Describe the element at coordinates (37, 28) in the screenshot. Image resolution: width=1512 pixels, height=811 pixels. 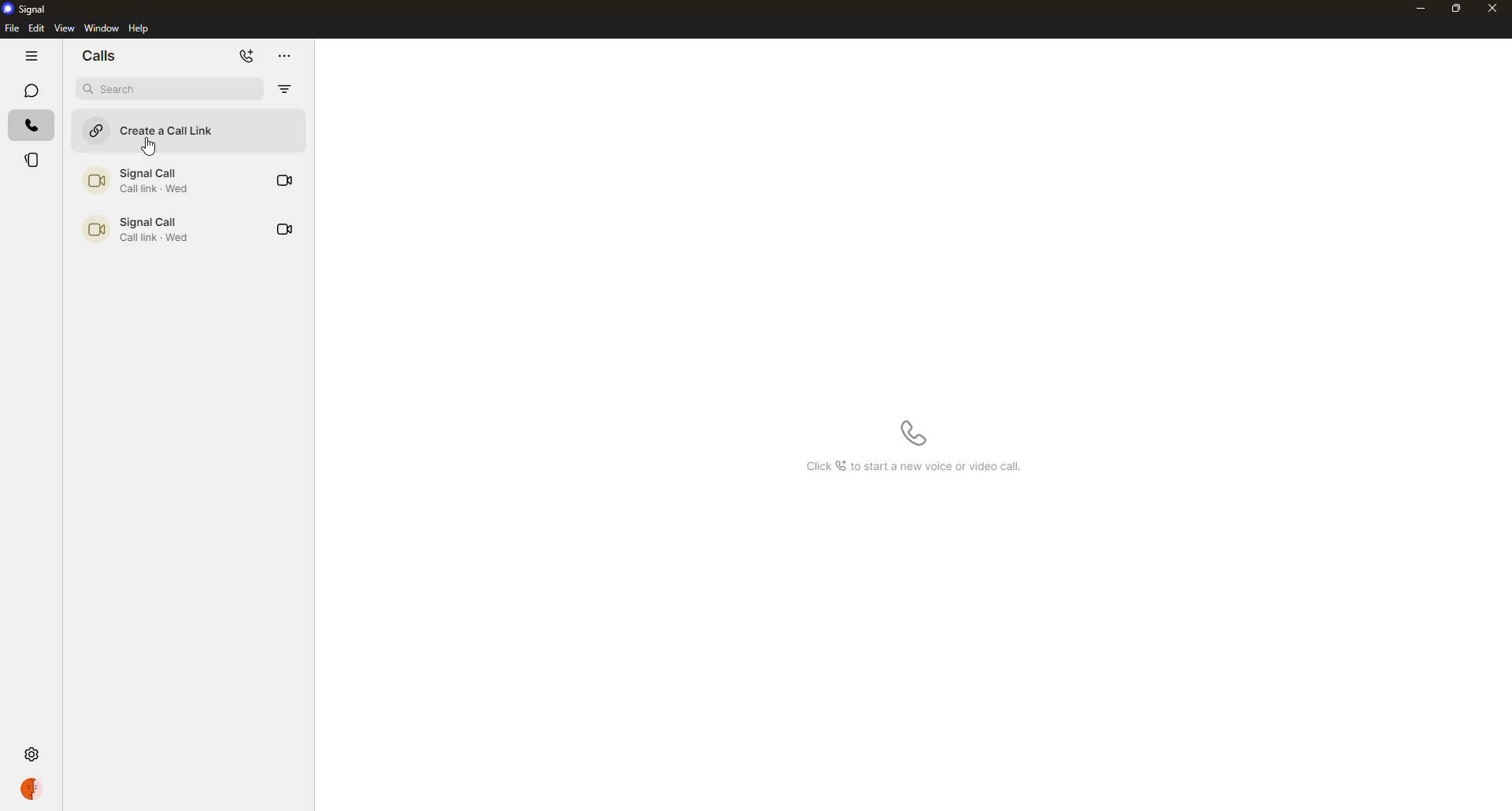
I see `edit` at that location.